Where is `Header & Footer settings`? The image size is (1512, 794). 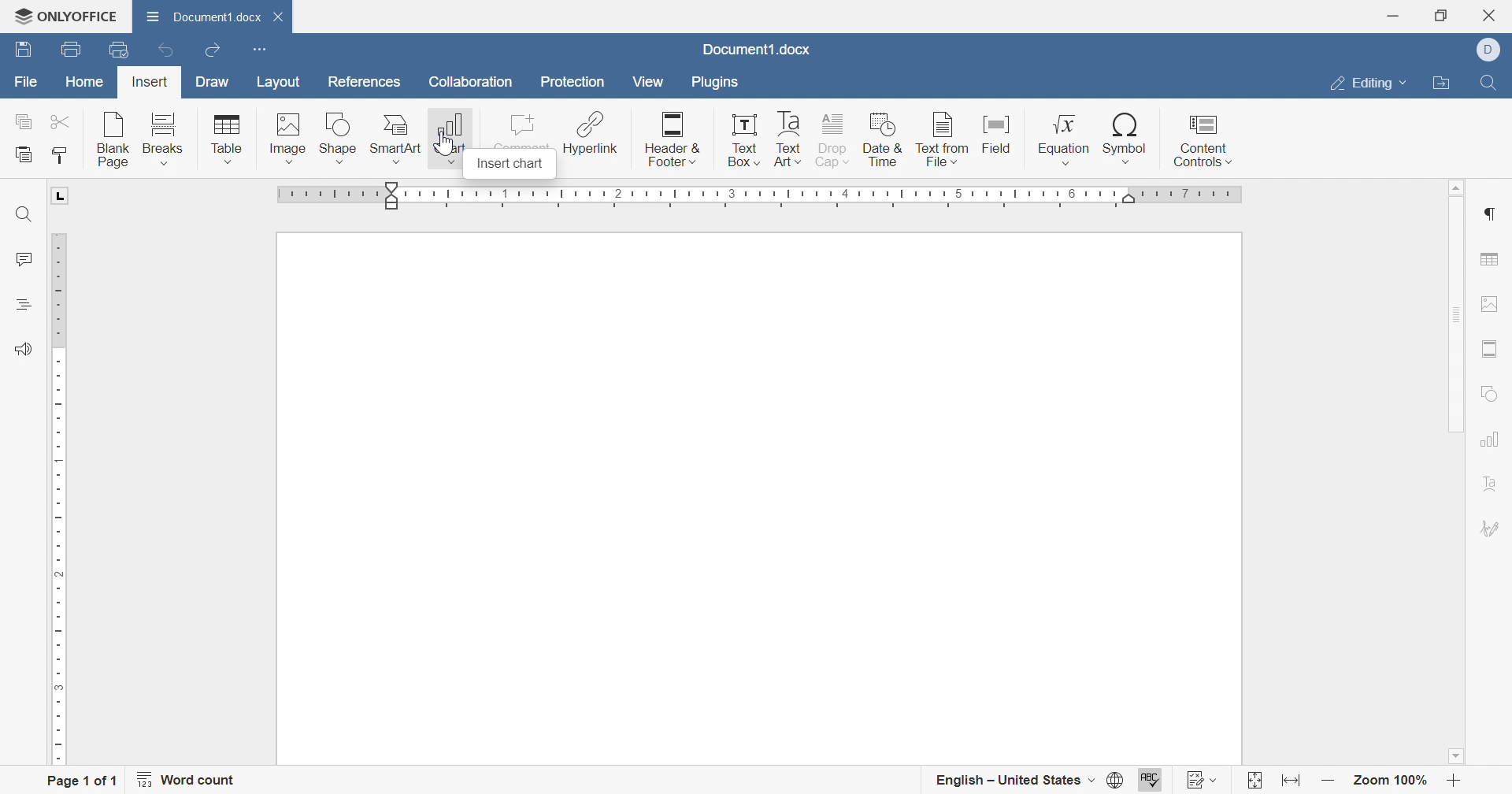
Header & Footer settings is located at coordinates (1494, 348).